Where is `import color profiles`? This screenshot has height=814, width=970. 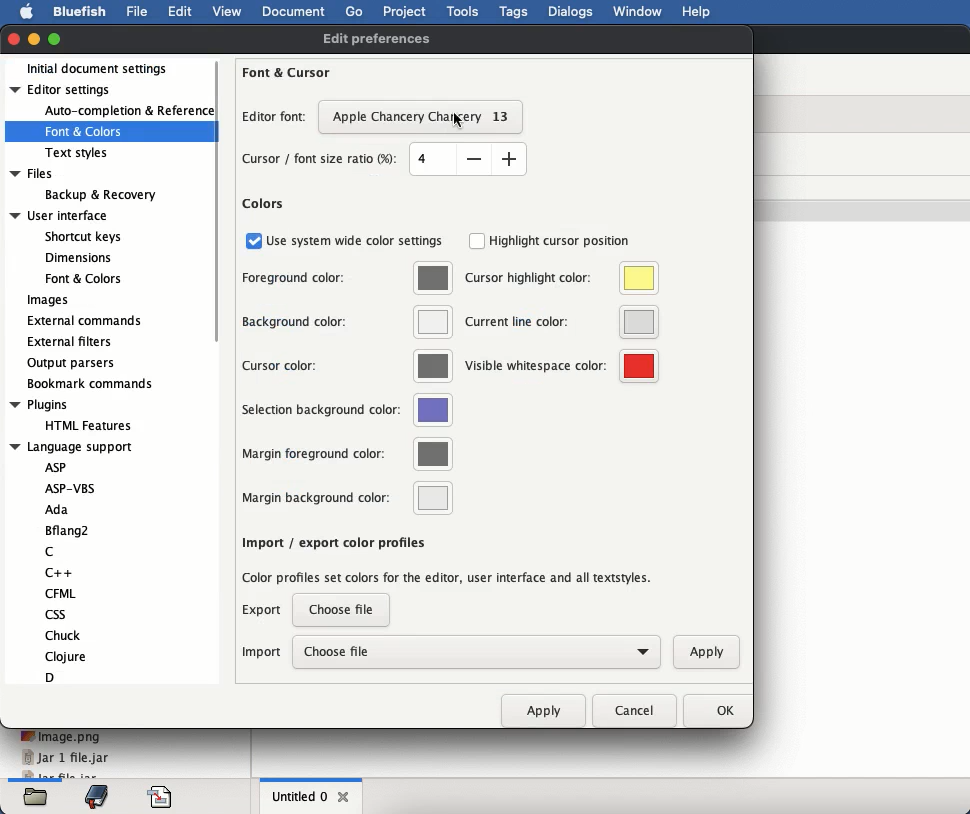
import color profiles is located at coordinates (449, 576).